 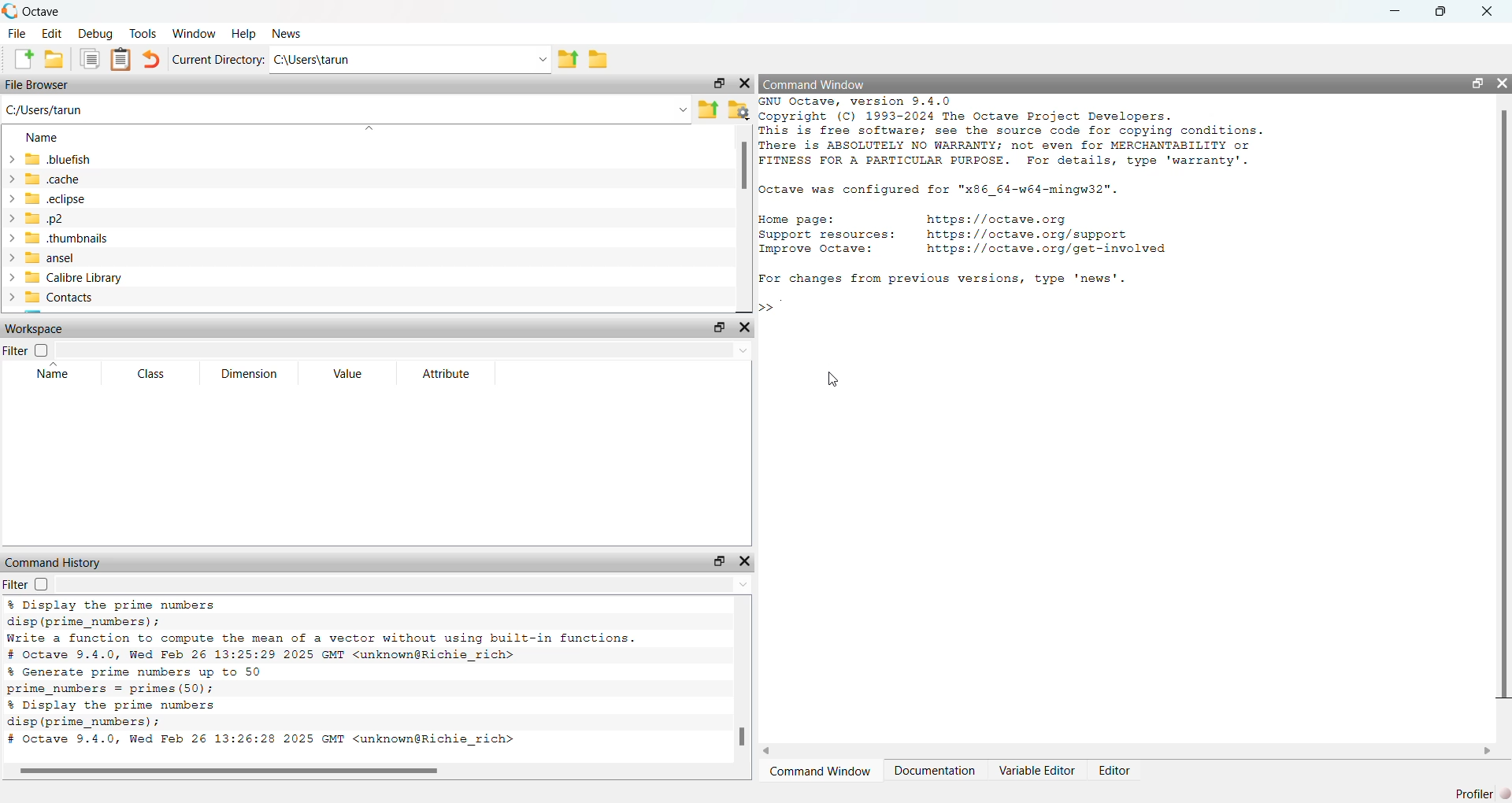 What do you see at coordinates (196, 33) in the screenshot?
I see `Window` at bounding box center [196, 33].